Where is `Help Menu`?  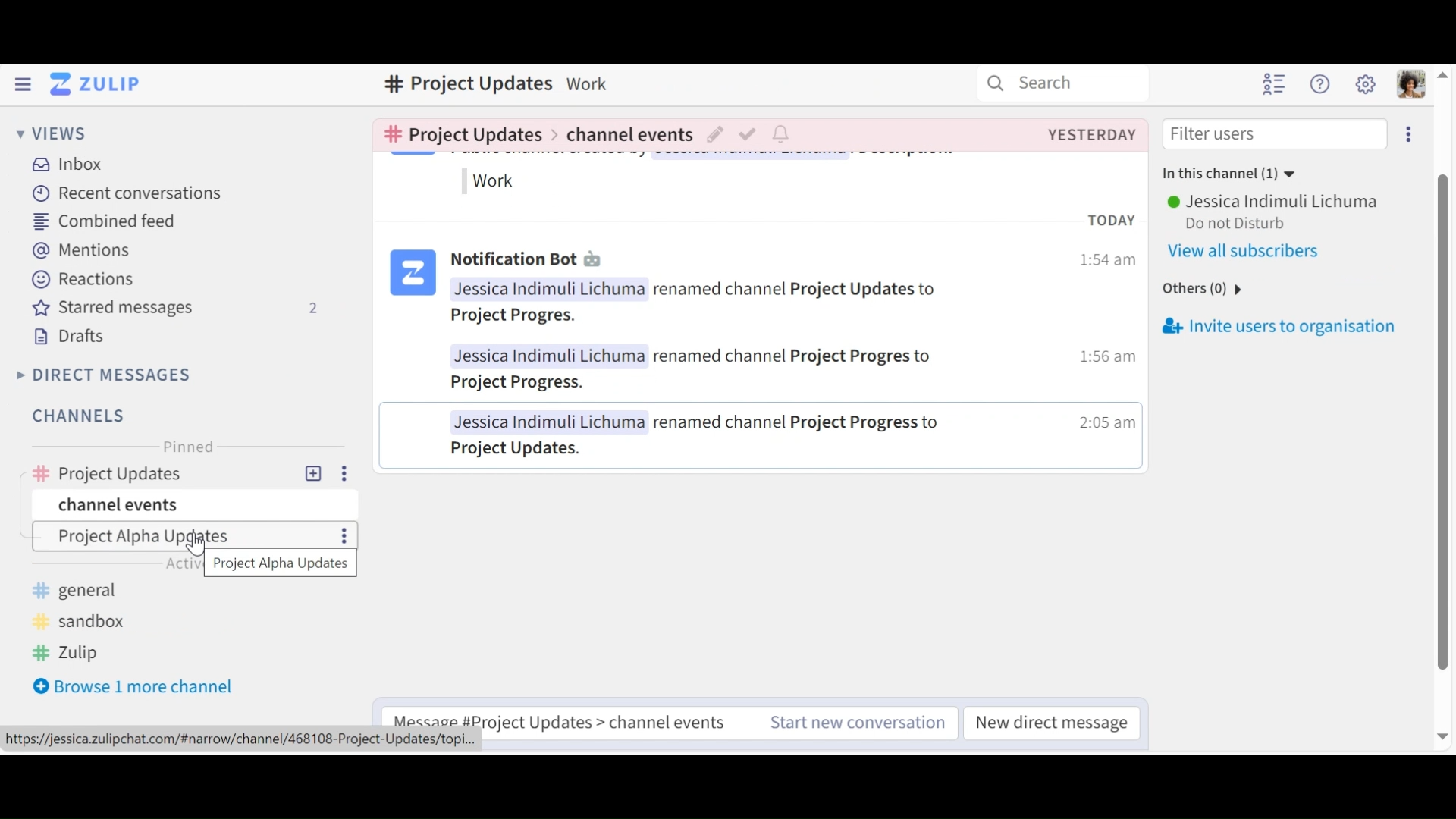
Help Menu is located at coordinates (1322, 84).